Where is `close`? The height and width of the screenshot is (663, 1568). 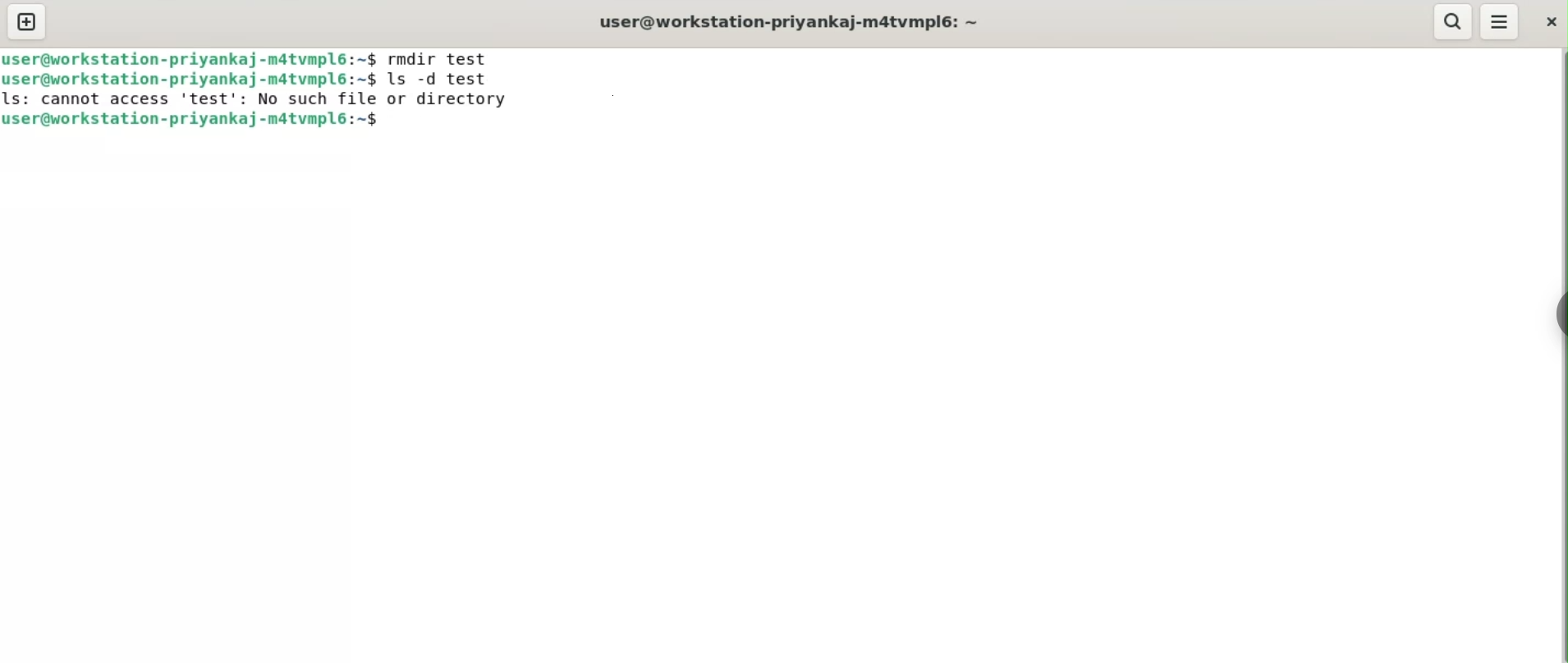 close is located at coordinates (1548, 21).